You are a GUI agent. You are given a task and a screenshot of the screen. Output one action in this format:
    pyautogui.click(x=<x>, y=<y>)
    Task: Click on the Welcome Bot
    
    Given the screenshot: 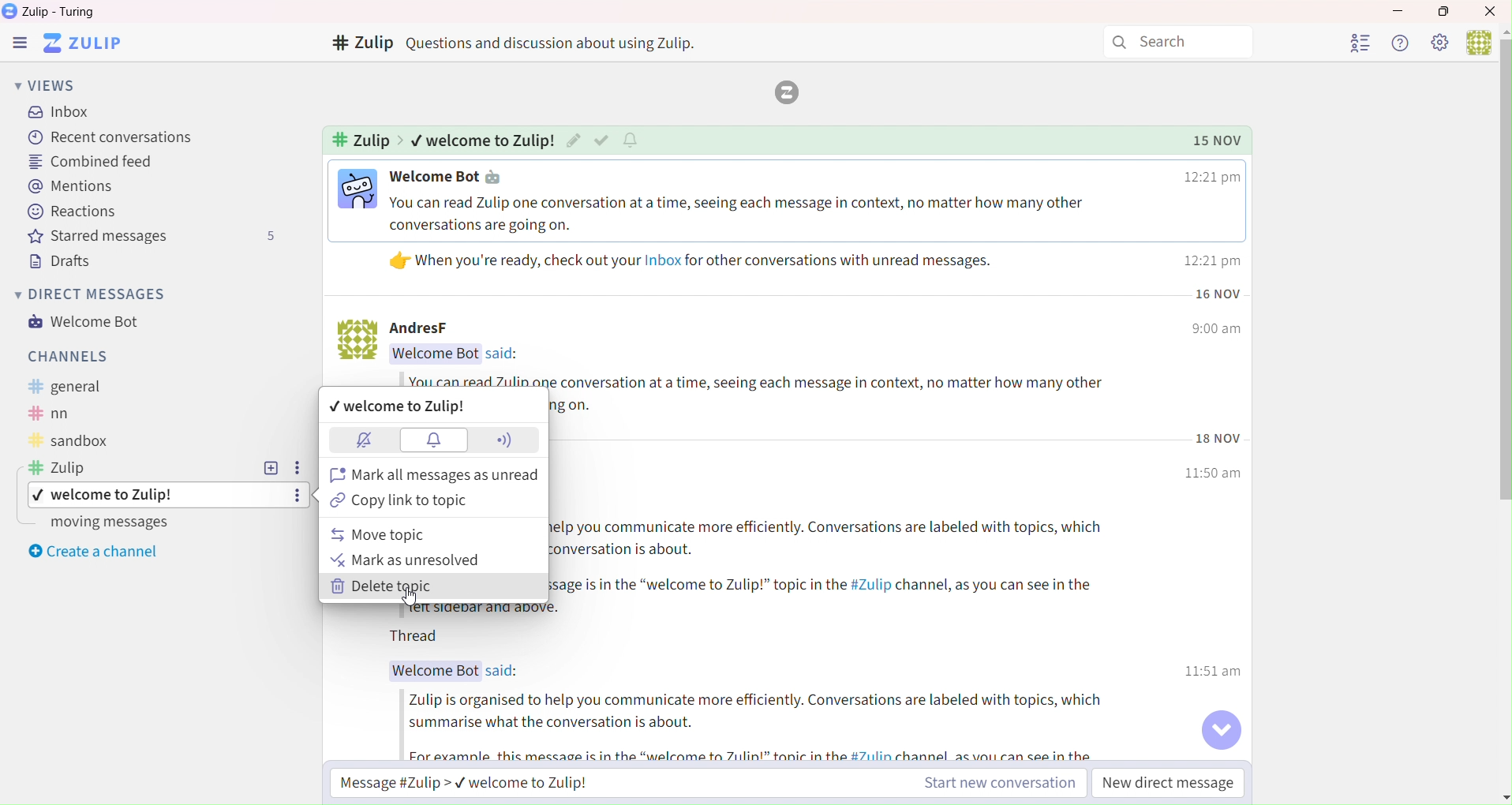 What is the action you would take?
    pyautogui.click(x=88, y=321)
    